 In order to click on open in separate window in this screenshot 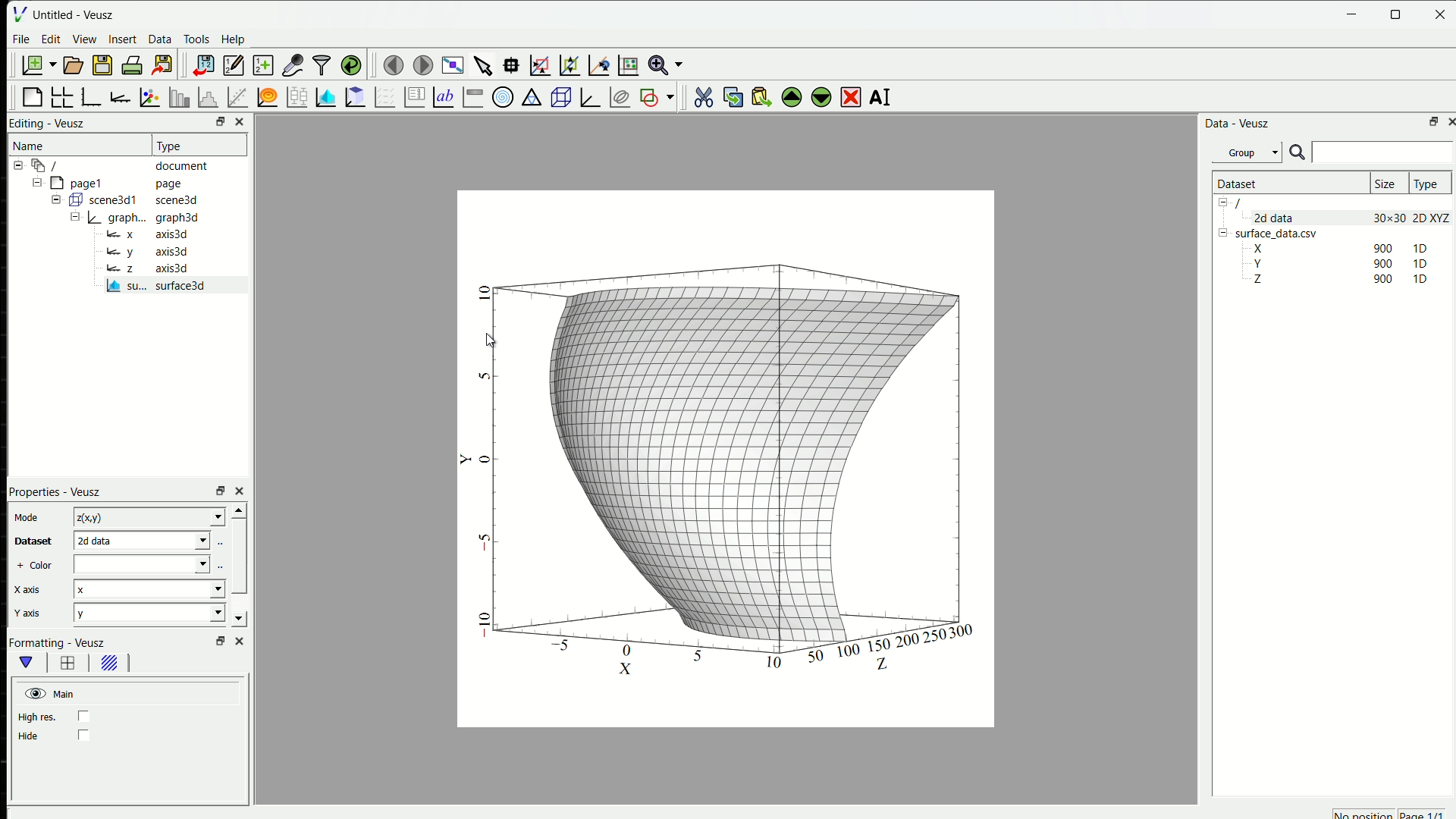, I will do `click(221, 121)`.